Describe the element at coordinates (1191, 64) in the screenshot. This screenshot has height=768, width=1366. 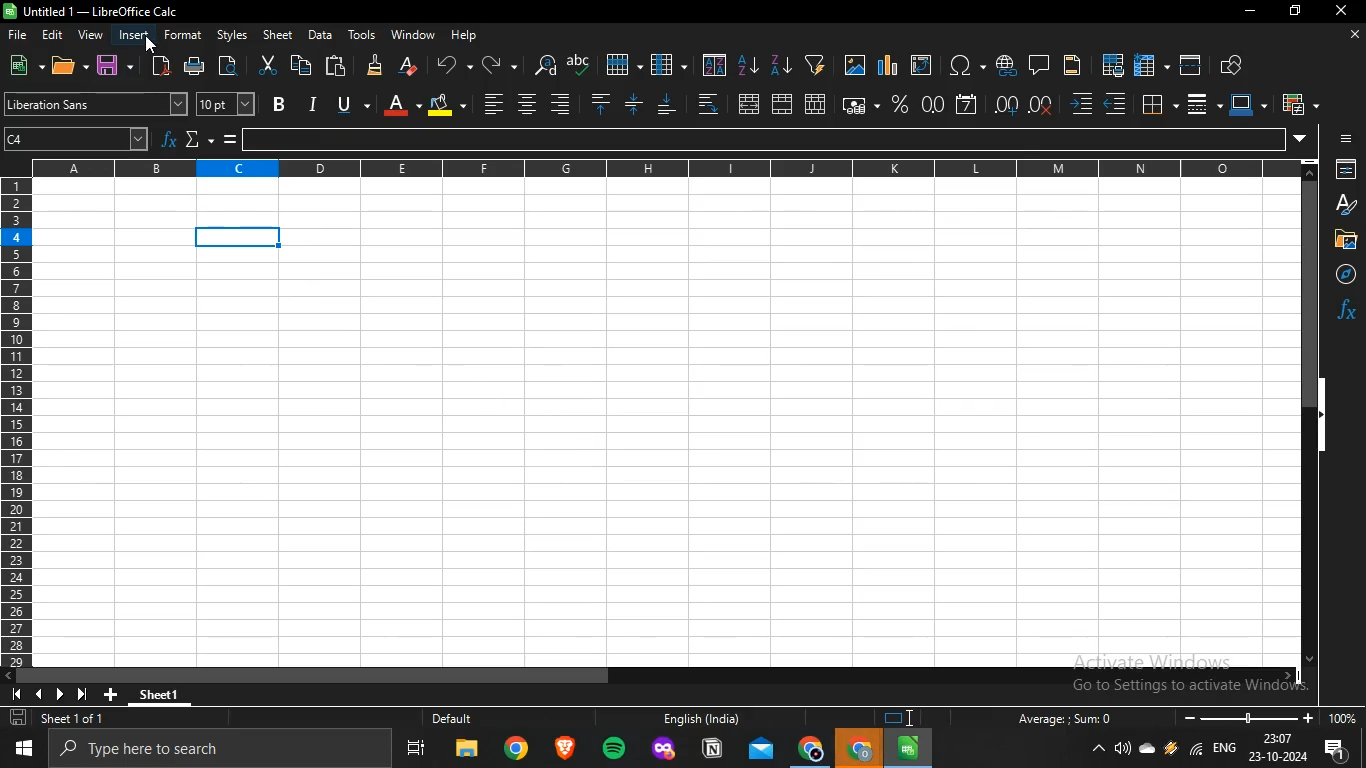
I see `split window` at that location.